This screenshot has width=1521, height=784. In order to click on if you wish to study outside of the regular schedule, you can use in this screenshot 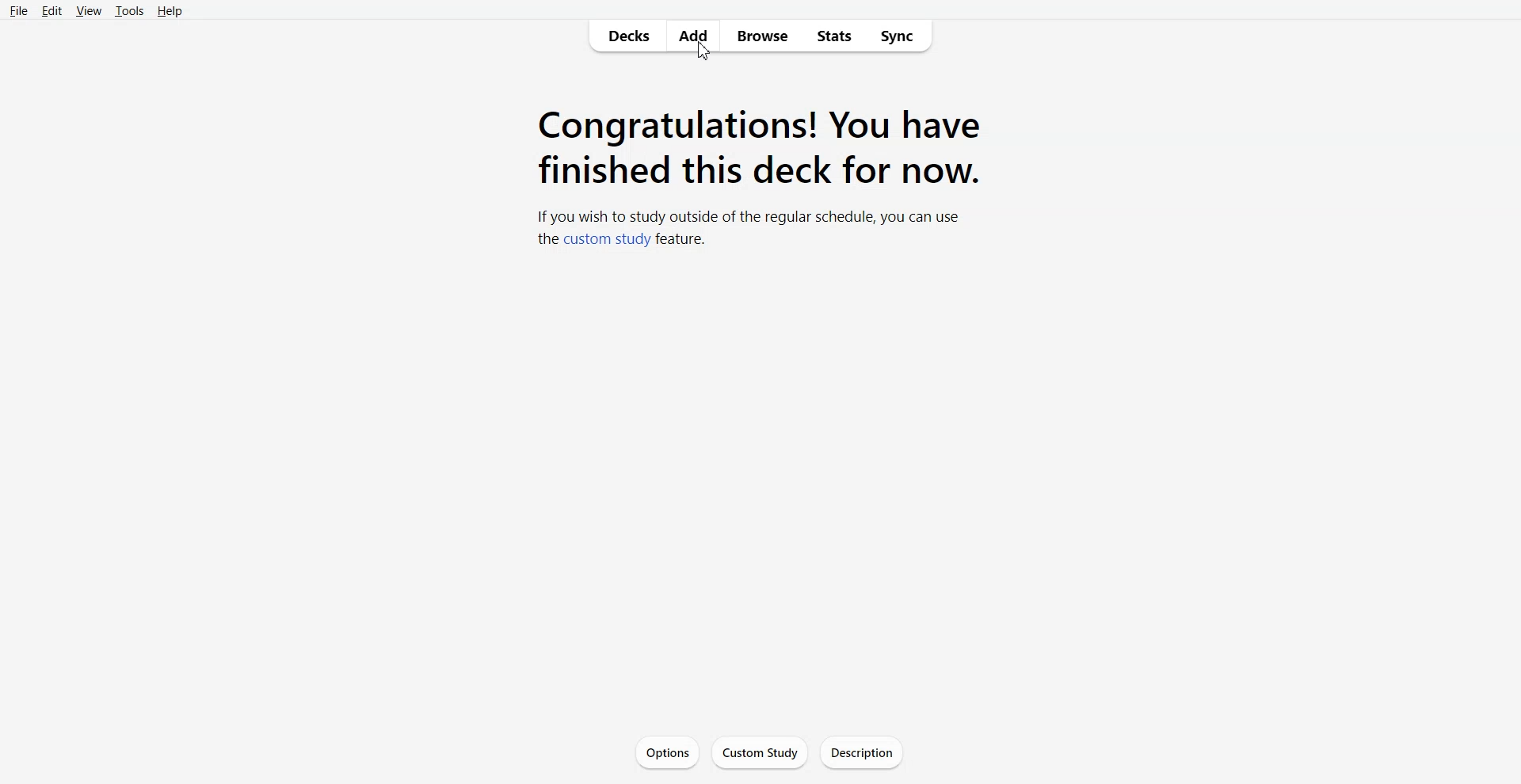, I will do `click(749, 217)`.